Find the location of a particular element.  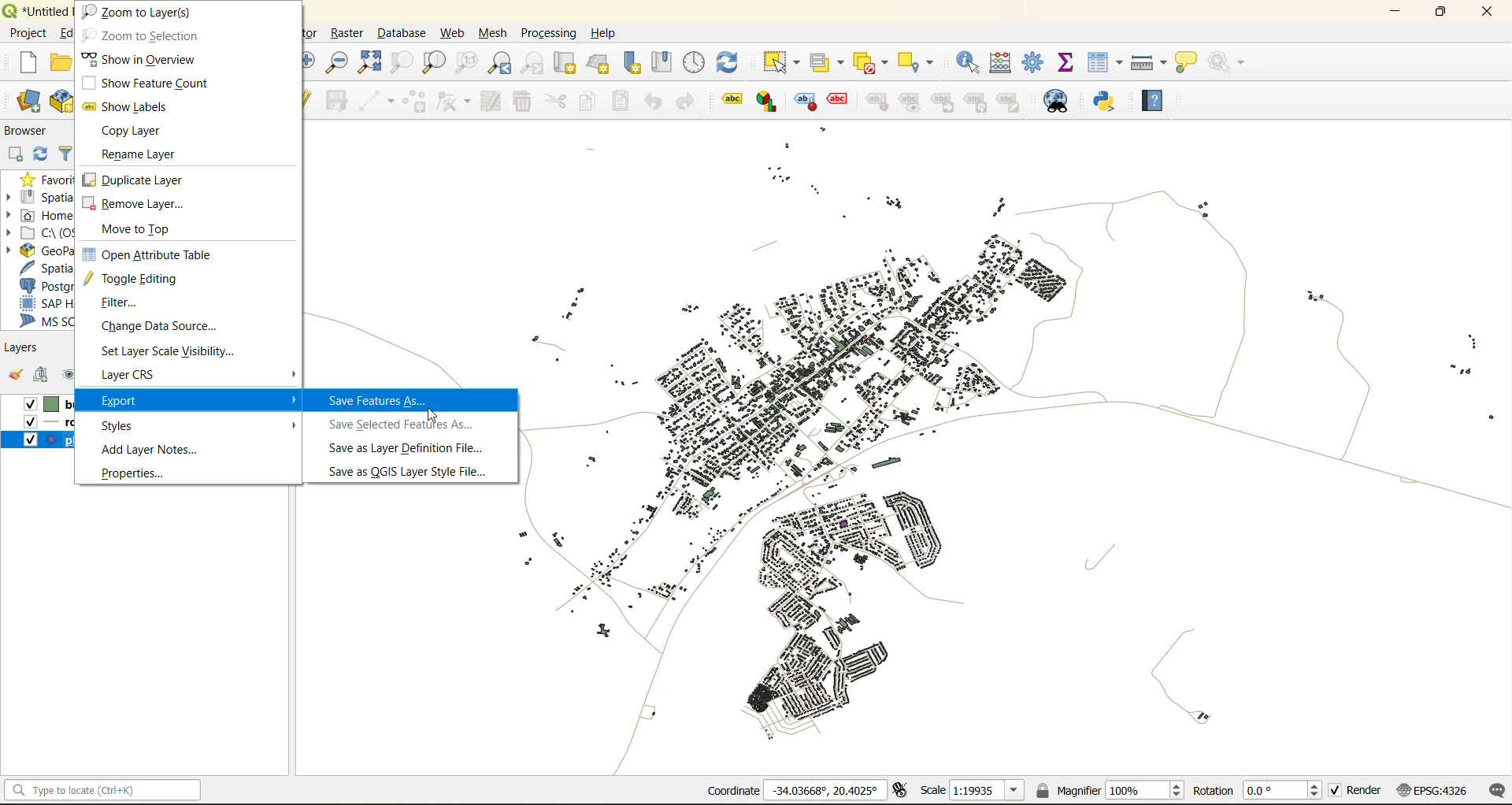

rename layer is located at coordinates (148, 157).